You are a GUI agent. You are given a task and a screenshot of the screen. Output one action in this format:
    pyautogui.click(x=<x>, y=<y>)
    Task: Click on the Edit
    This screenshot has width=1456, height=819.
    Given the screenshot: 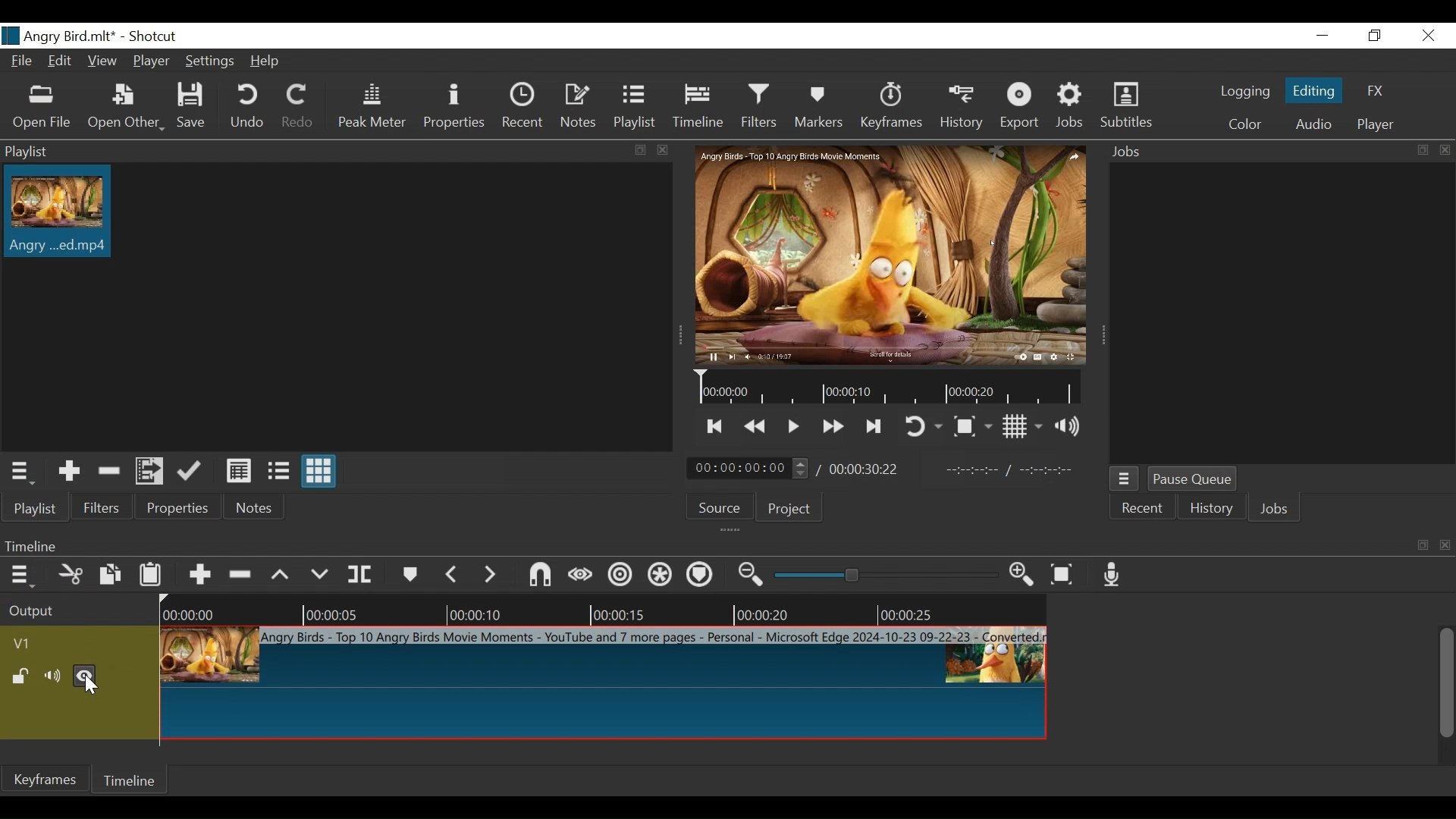 What is the action you would take?
    pyautogui.click(x=61, y=61)
    